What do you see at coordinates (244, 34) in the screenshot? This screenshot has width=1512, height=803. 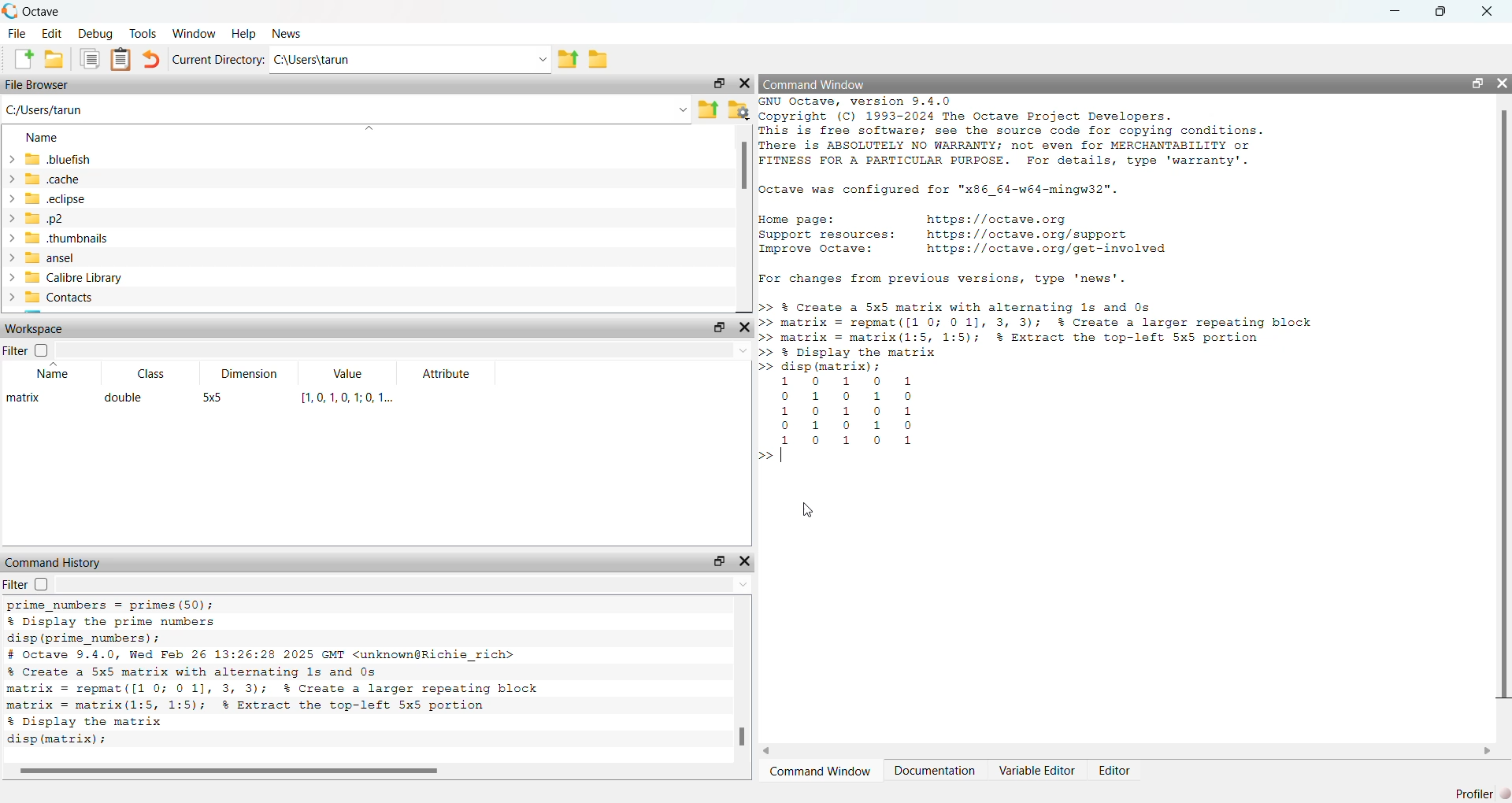 I see `Help` at bounding box center [244, 34].